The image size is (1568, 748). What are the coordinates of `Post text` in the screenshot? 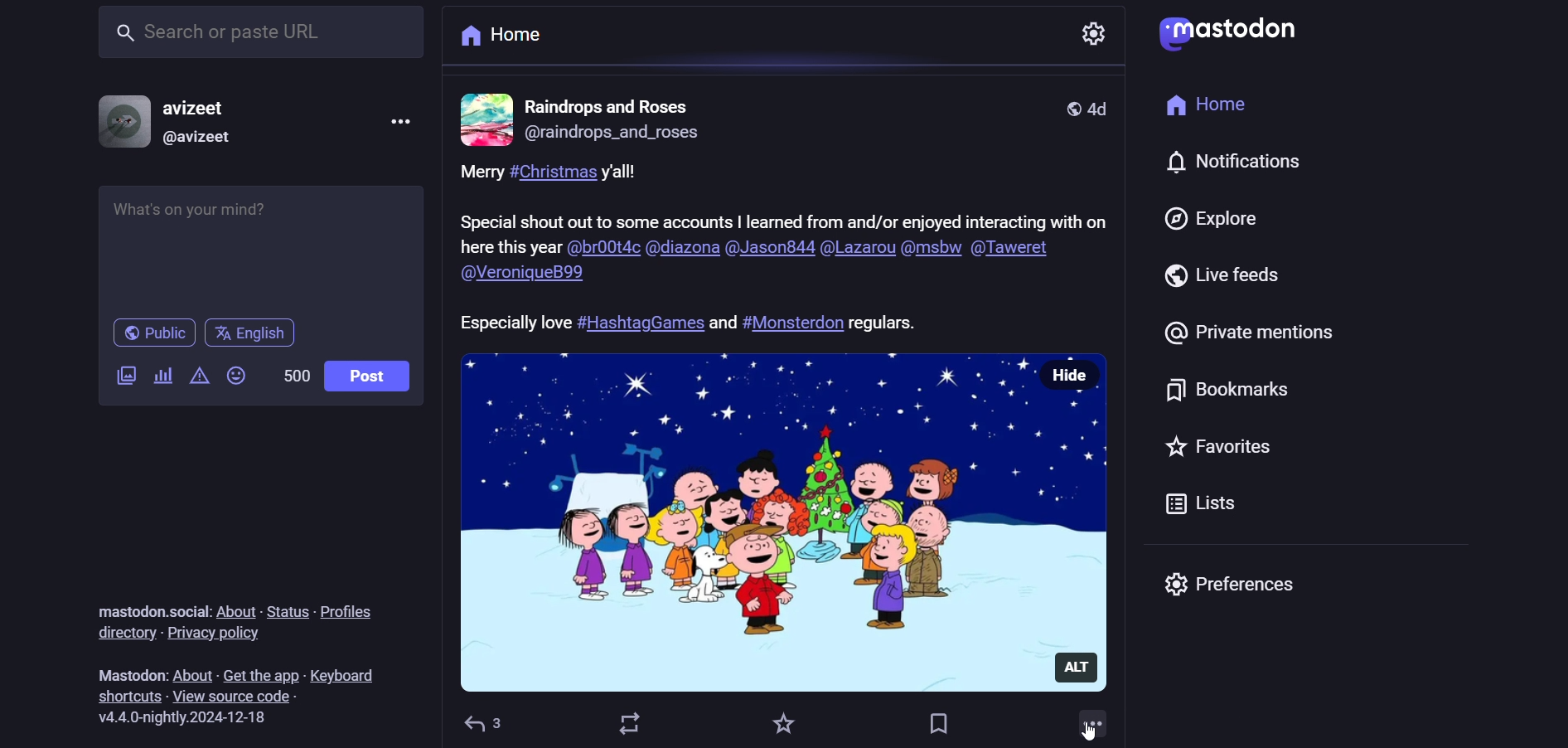 It's located at (682, 319).